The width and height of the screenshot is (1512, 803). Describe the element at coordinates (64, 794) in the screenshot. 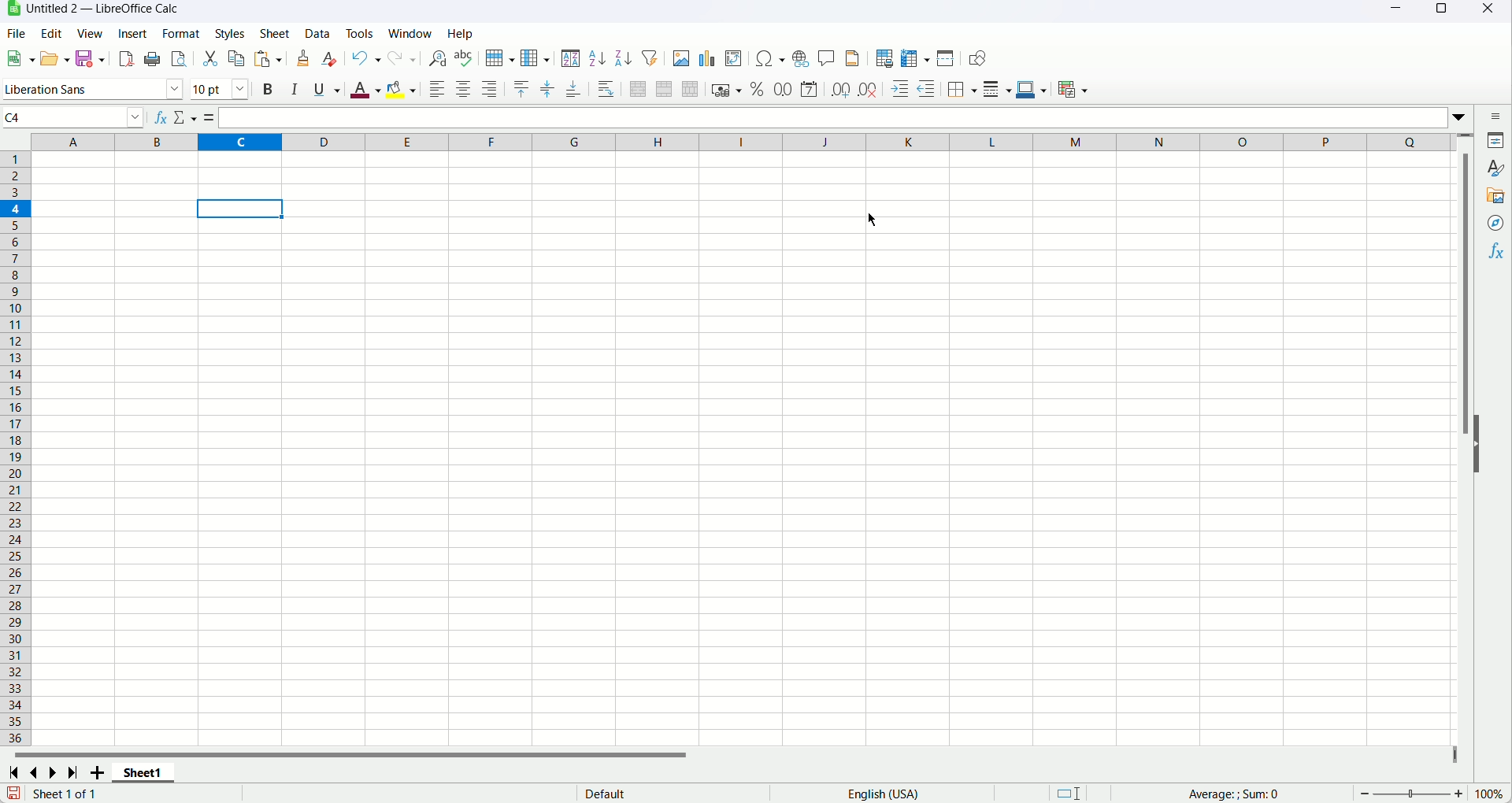

I see `Text` at that location.